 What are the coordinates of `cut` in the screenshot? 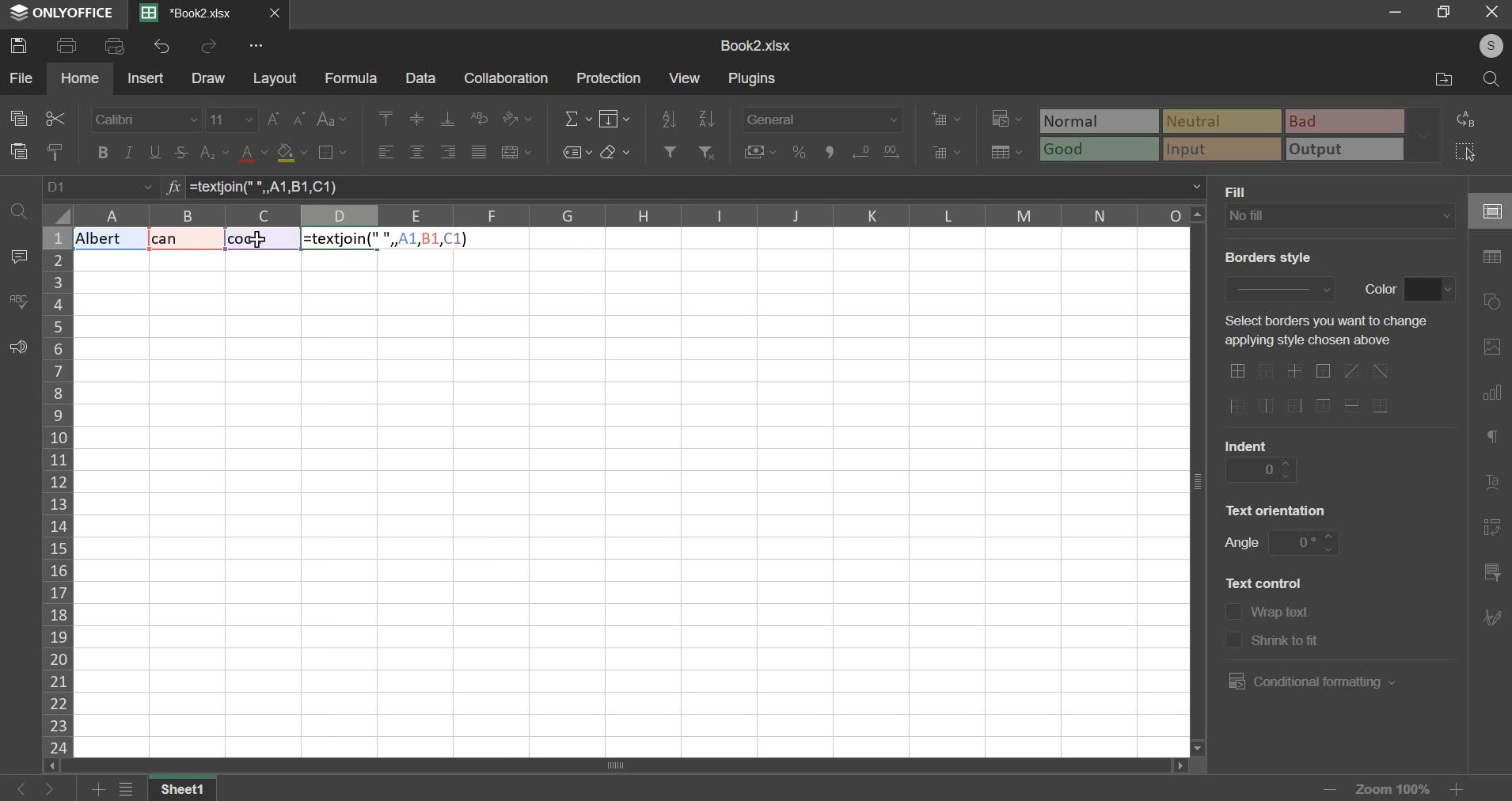 It's located at (54, 119).